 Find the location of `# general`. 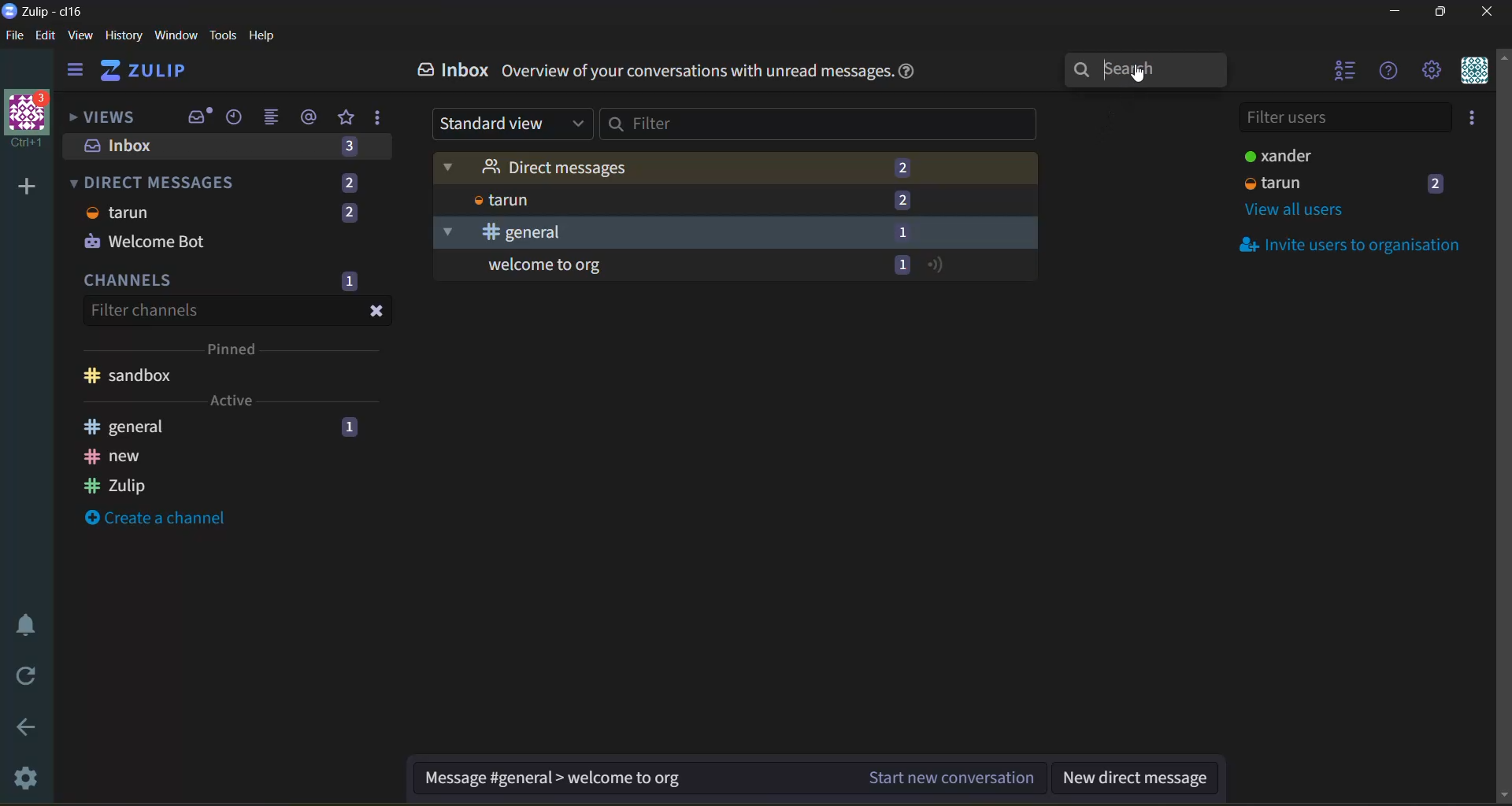

# general is located at coordinates (124, 426).